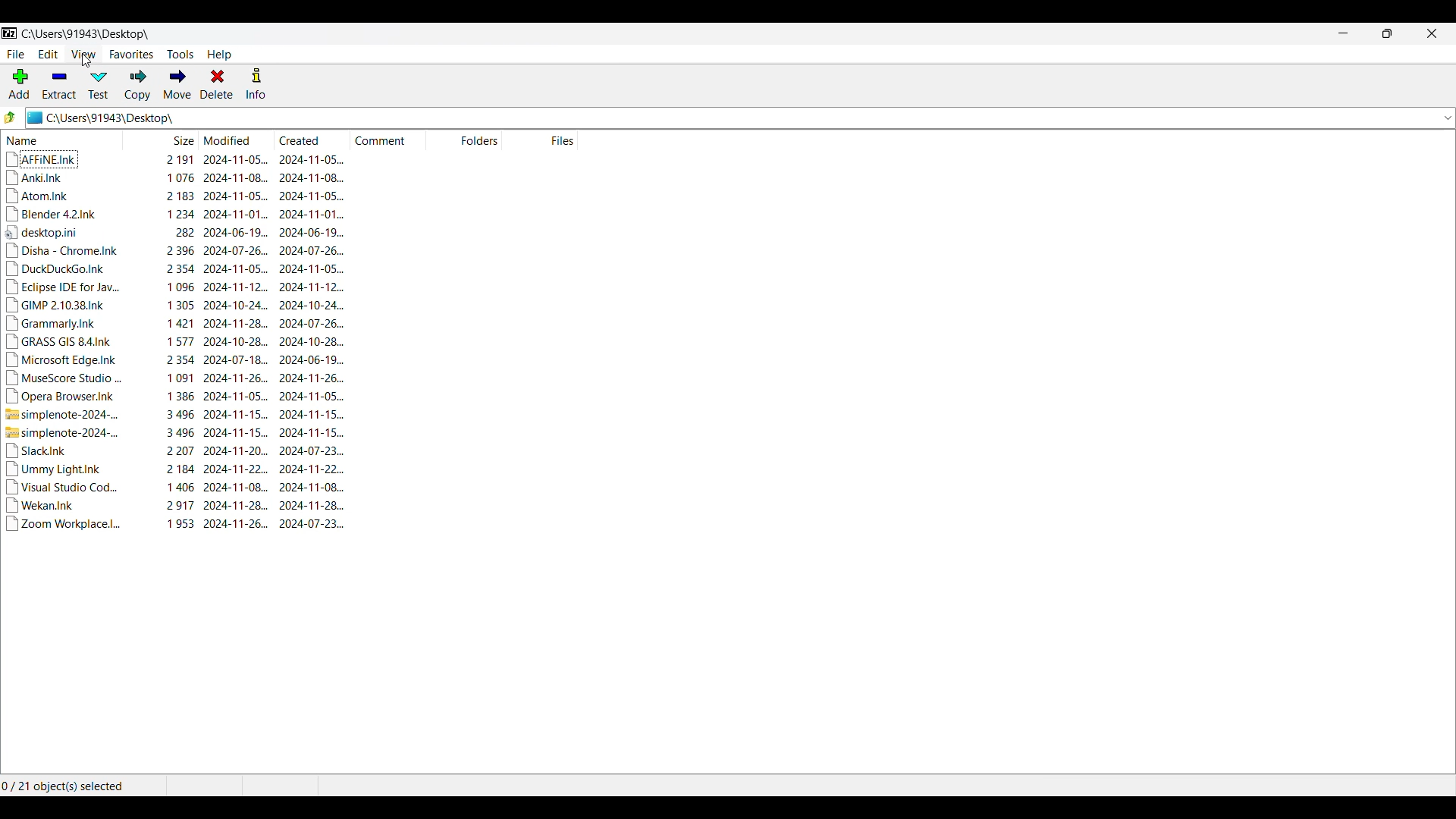 This screenshot has height=819, width=1456. Describe the element at coordinates (177, 214) in the screenshot. I see `Blender 4.2.Ink 1234 2024-11-01... 2024-11-01...` at that location.